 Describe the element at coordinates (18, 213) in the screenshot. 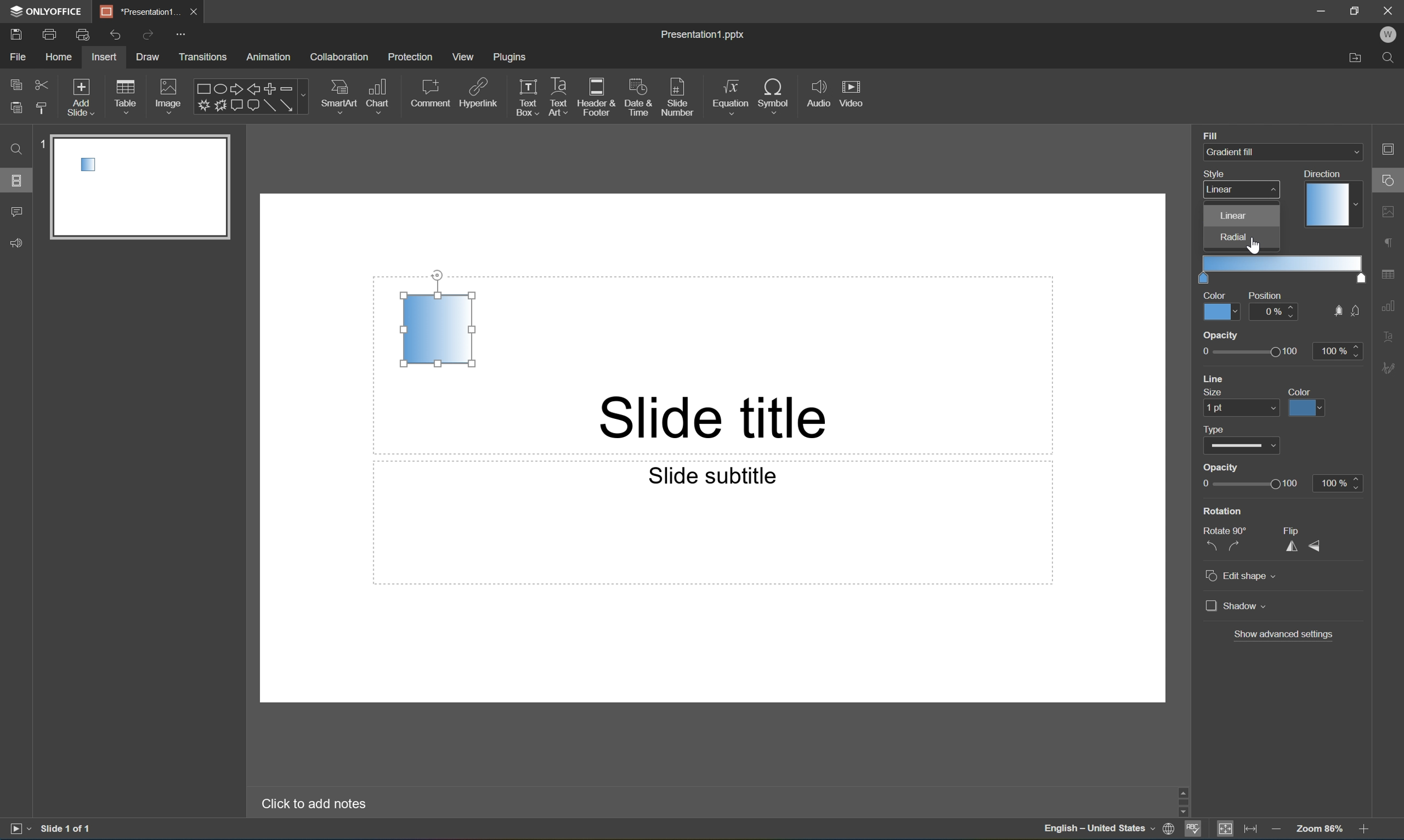

I see `Comment` at that location.